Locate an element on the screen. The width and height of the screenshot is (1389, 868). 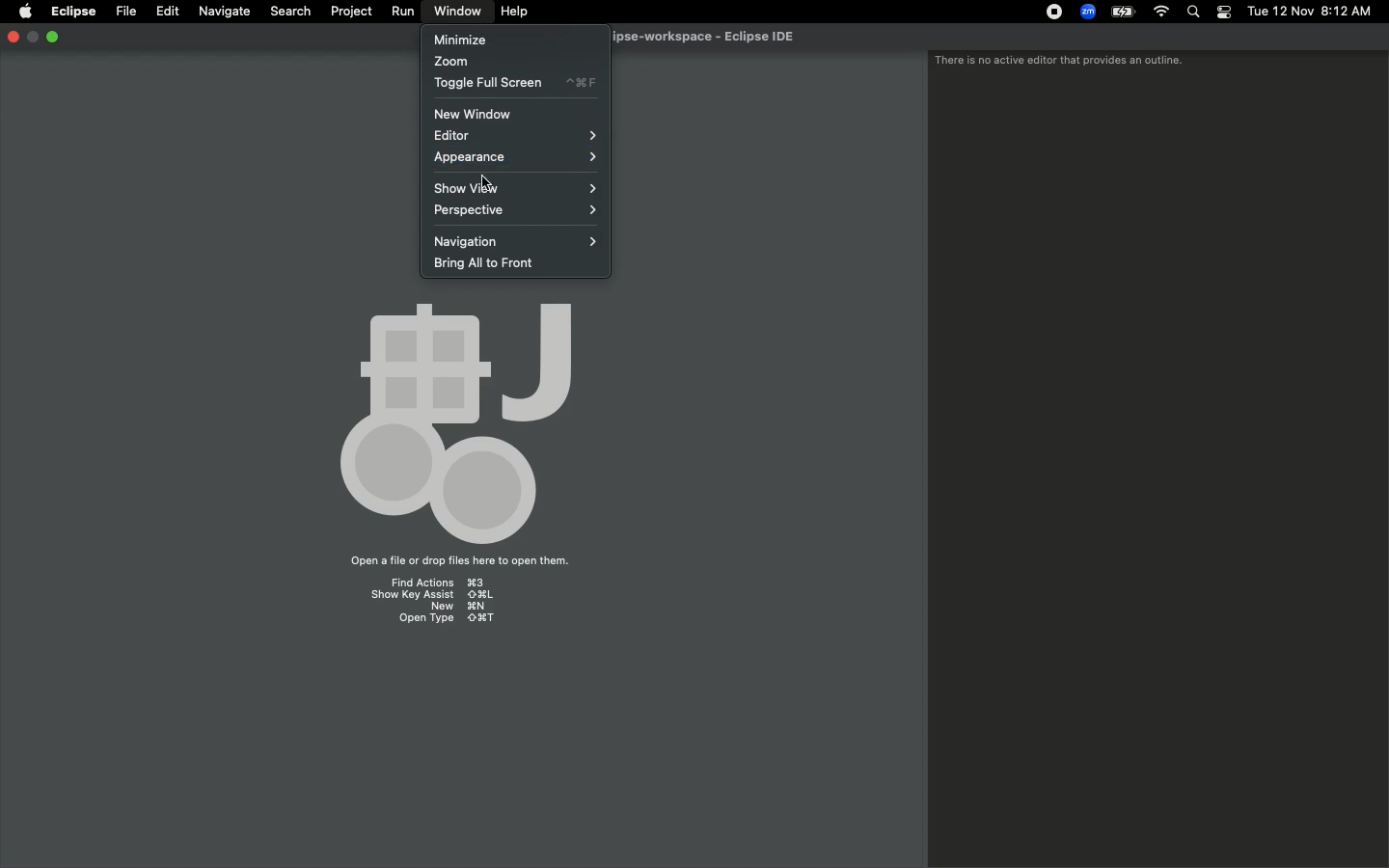
Help is located at coordinates (515, 12).